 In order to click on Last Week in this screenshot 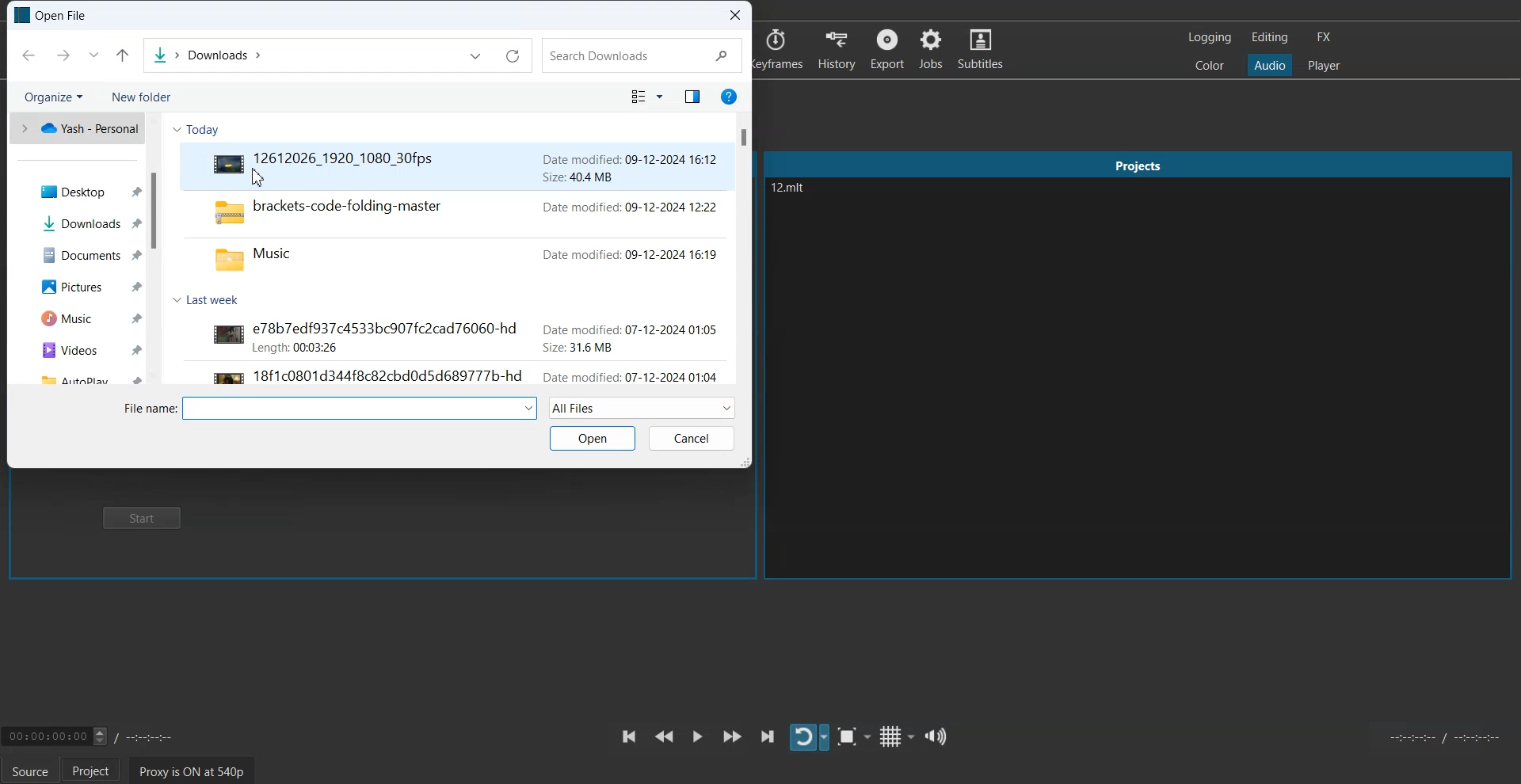, I will do `click(212, 299)`.